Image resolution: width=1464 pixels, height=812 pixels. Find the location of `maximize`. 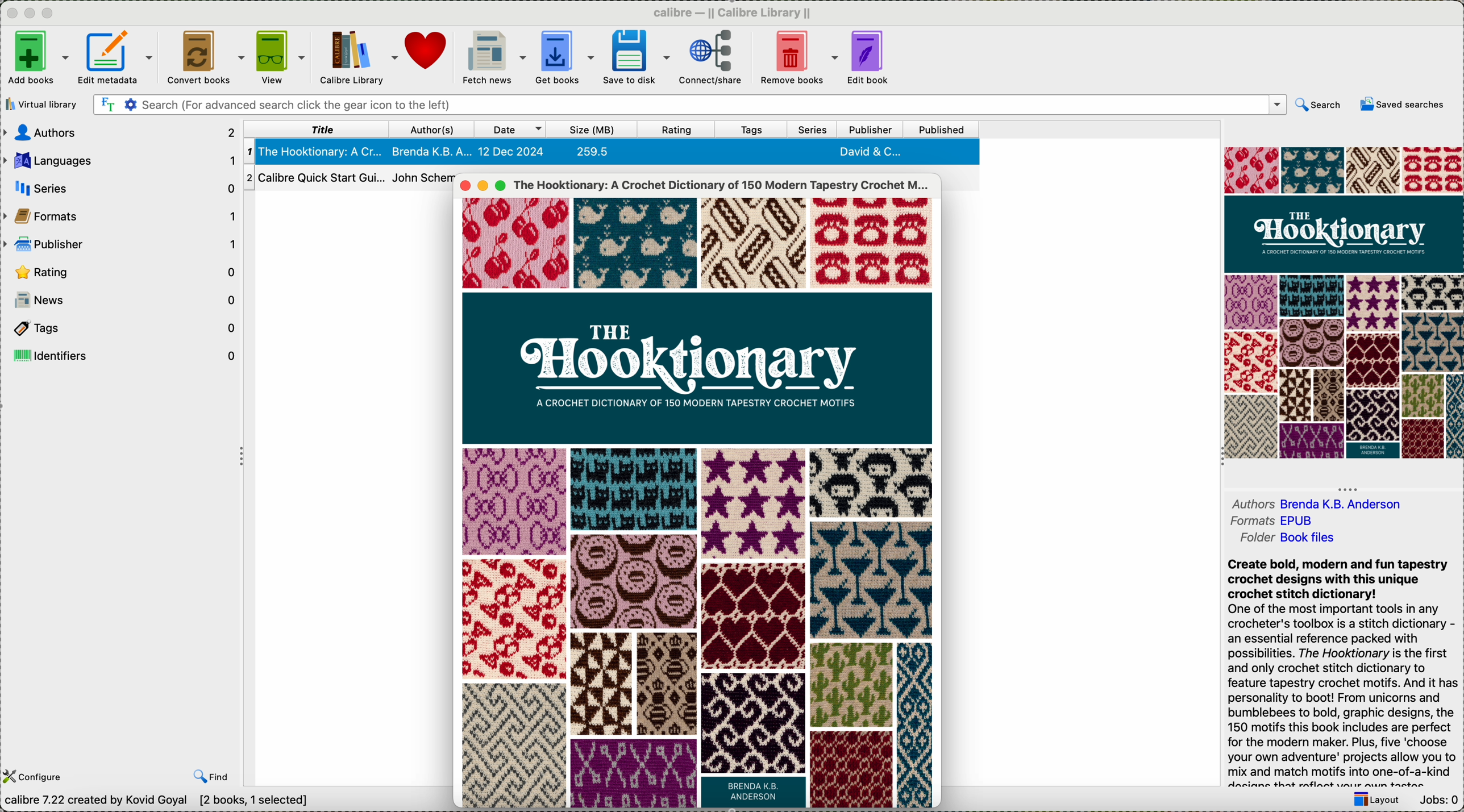

maximize is located at coordinates (504, 185).